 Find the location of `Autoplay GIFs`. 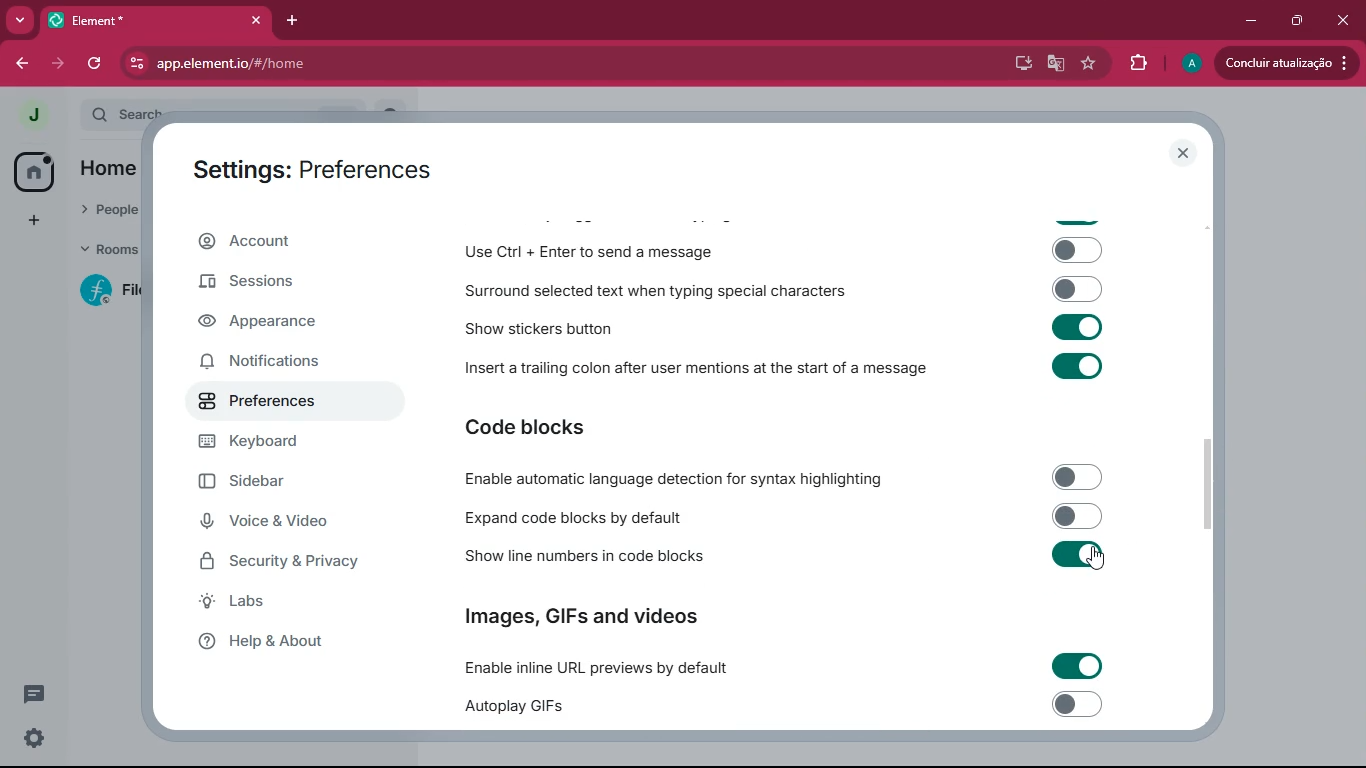

Autoplay GIFs is located at coordinates (791, 707).